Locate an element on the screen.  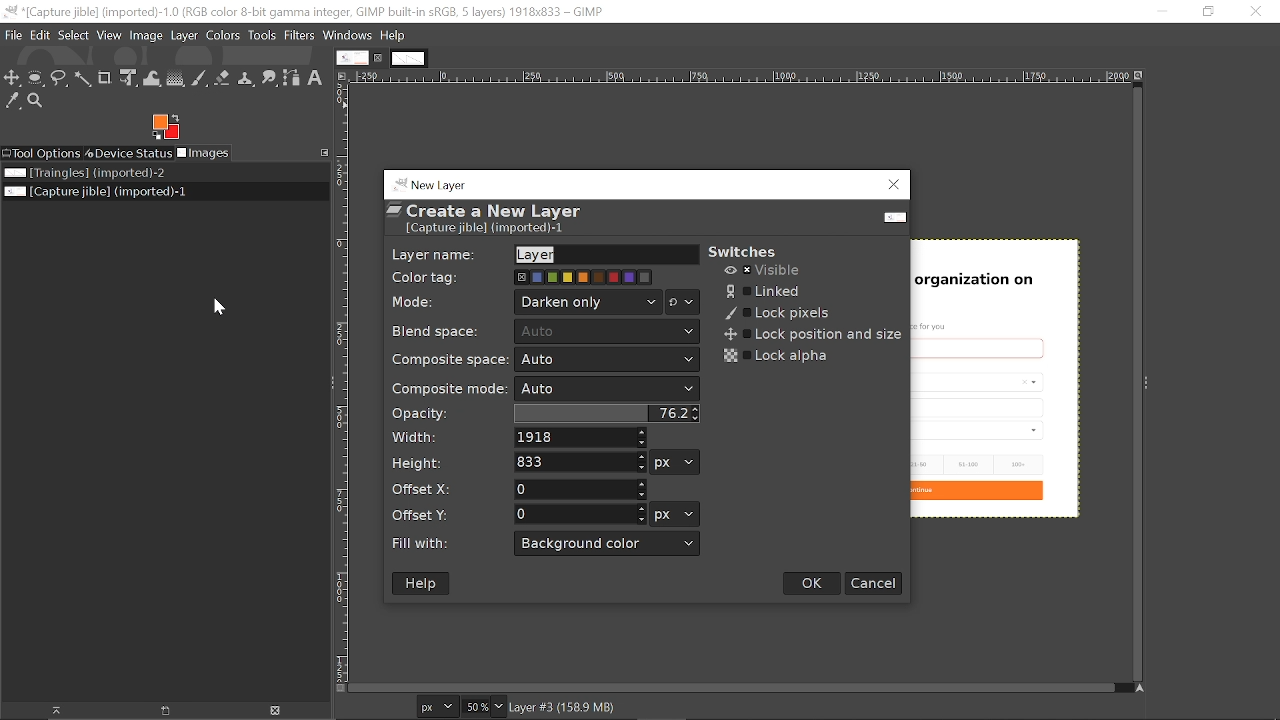
“1 New layer is located at coordinates (442, 183).